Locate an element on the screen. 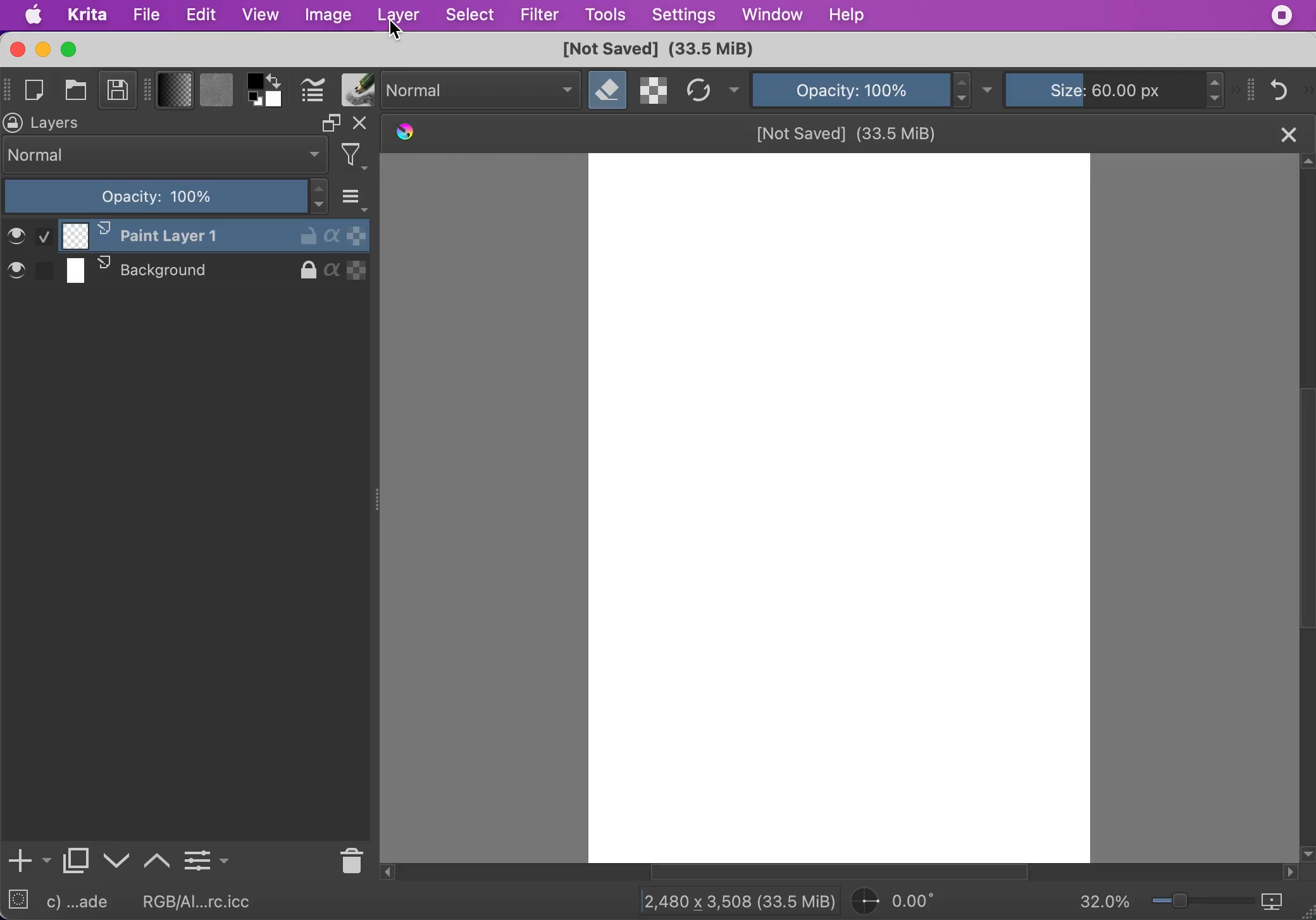 This screenshot has width=1316, height=920. lock docker is located at coordinates (14, 123).